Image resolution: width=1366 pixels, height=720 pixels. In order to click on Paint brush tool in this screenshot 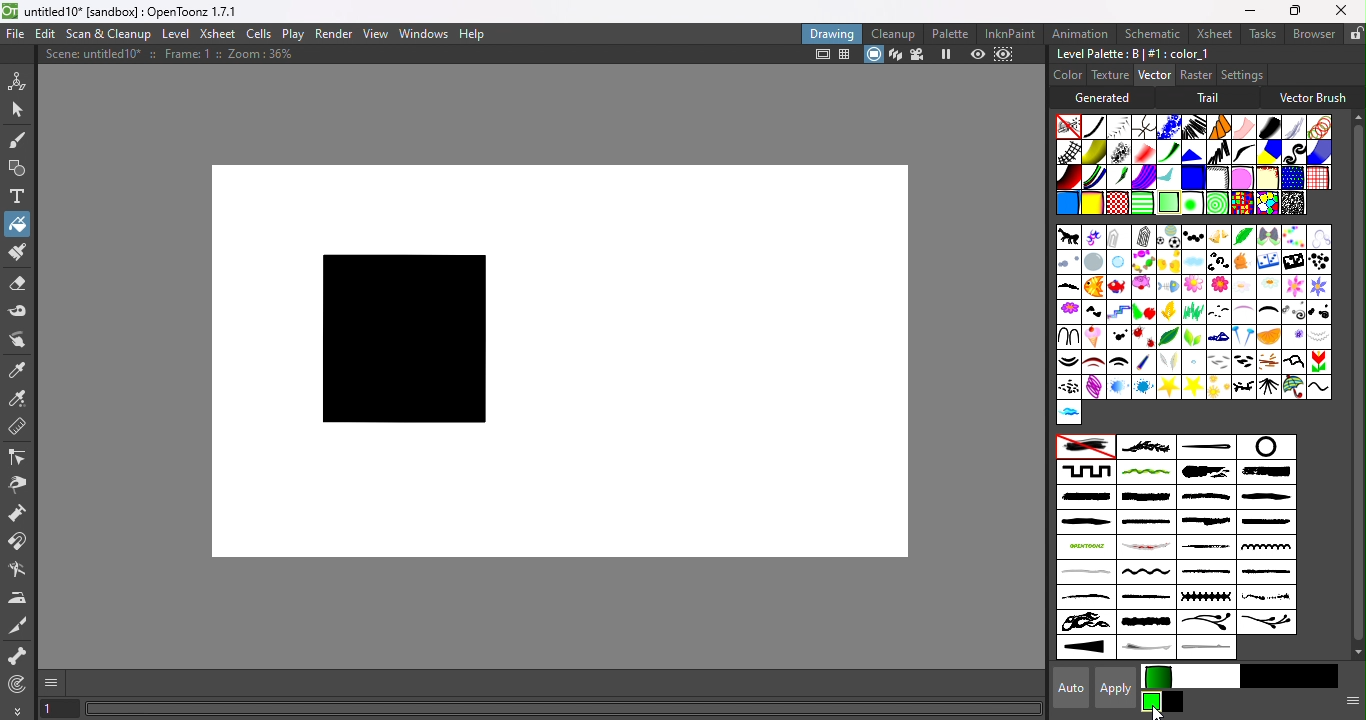, I will do `click(16, 254)`.